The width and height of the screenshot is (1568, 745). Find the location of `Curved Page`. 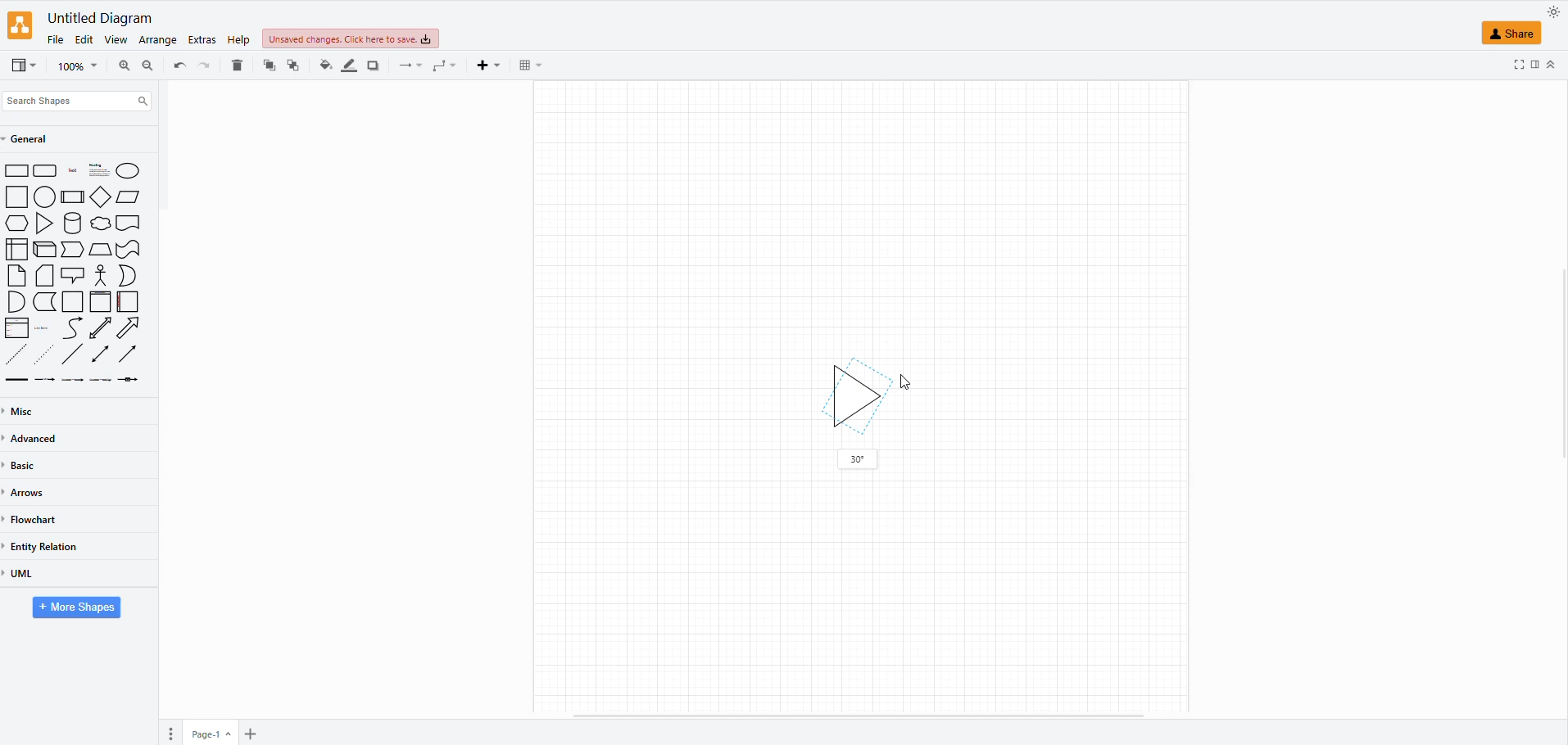

Curved Page is located at coordinates (45, 302).